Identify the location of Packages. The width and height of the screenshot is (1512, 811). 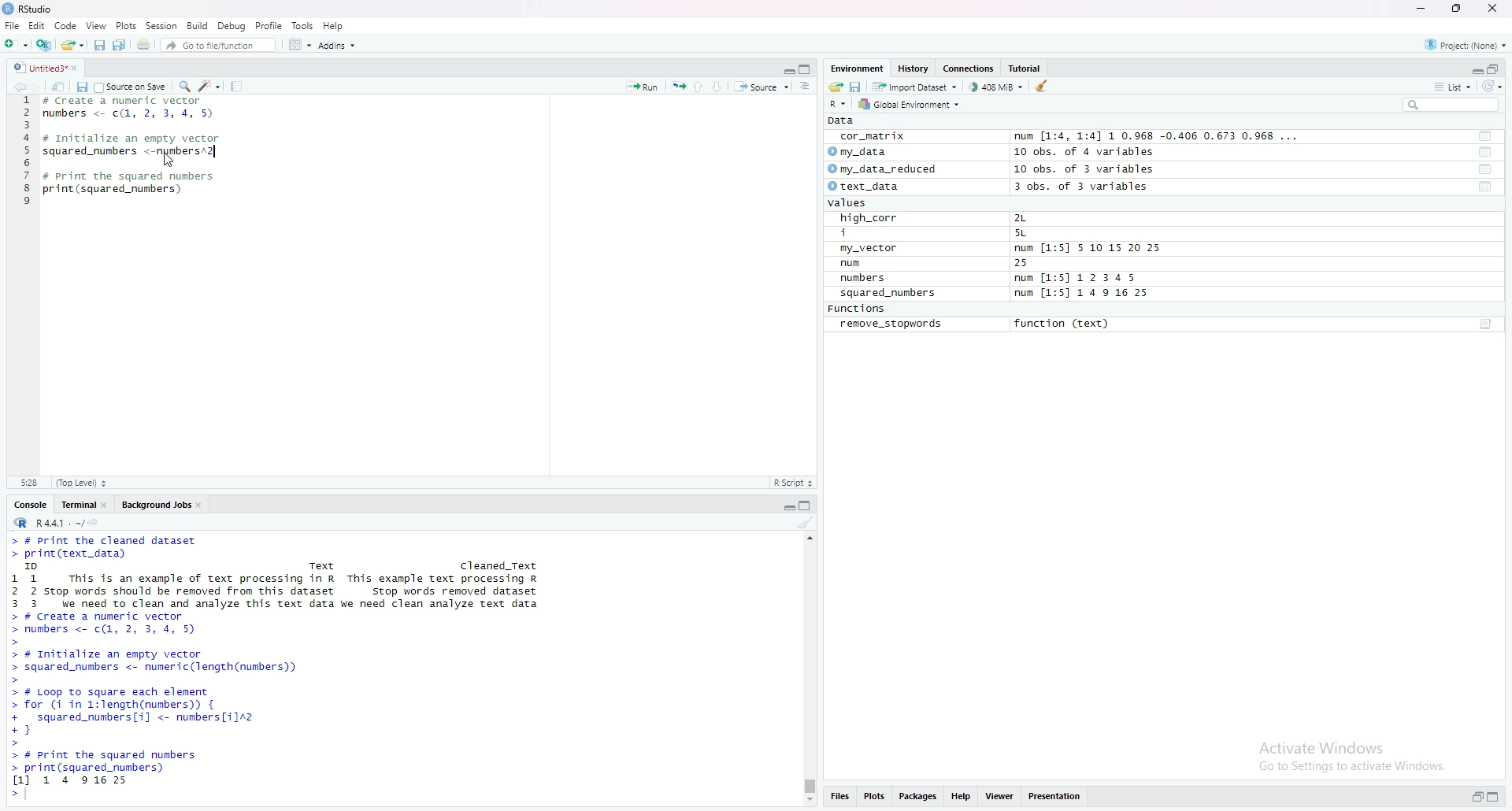
(919, 798).